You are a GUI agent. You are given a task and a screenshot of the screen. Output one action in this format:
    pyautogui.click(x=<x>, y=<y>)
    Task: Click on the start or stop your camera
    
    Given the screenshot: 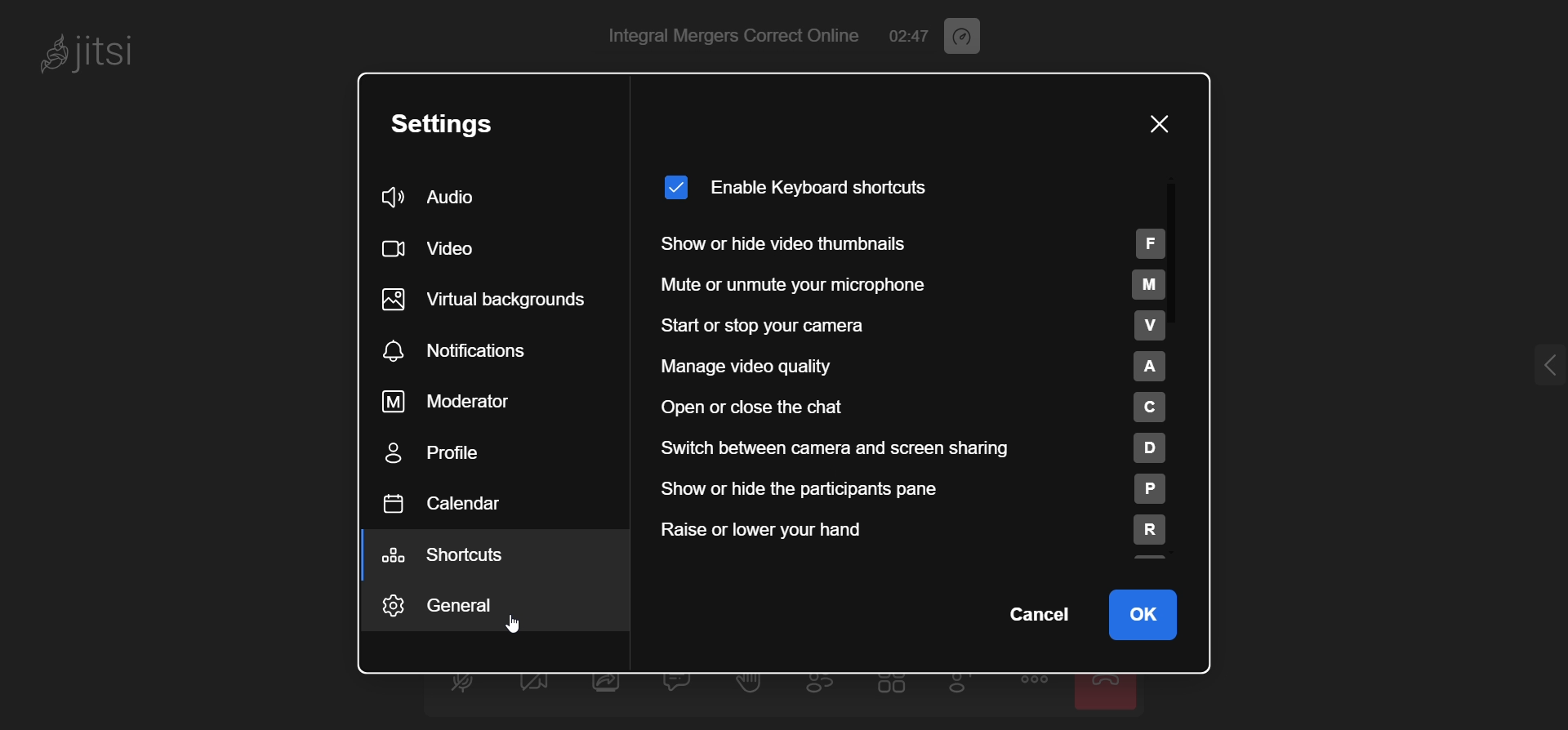 What is the action you would take?
    pyautogui.click(x=904, y=328)
    